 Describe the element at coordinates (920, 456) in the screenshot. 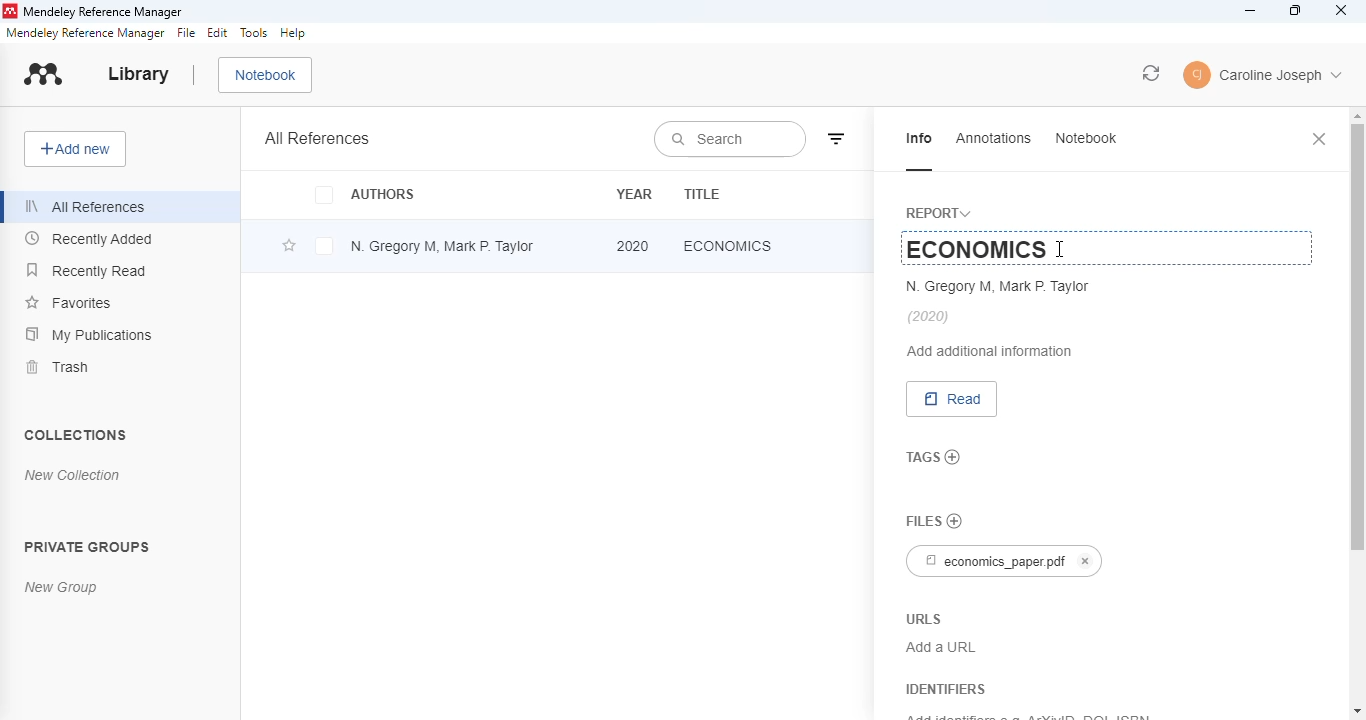

I see `tags` at that location.